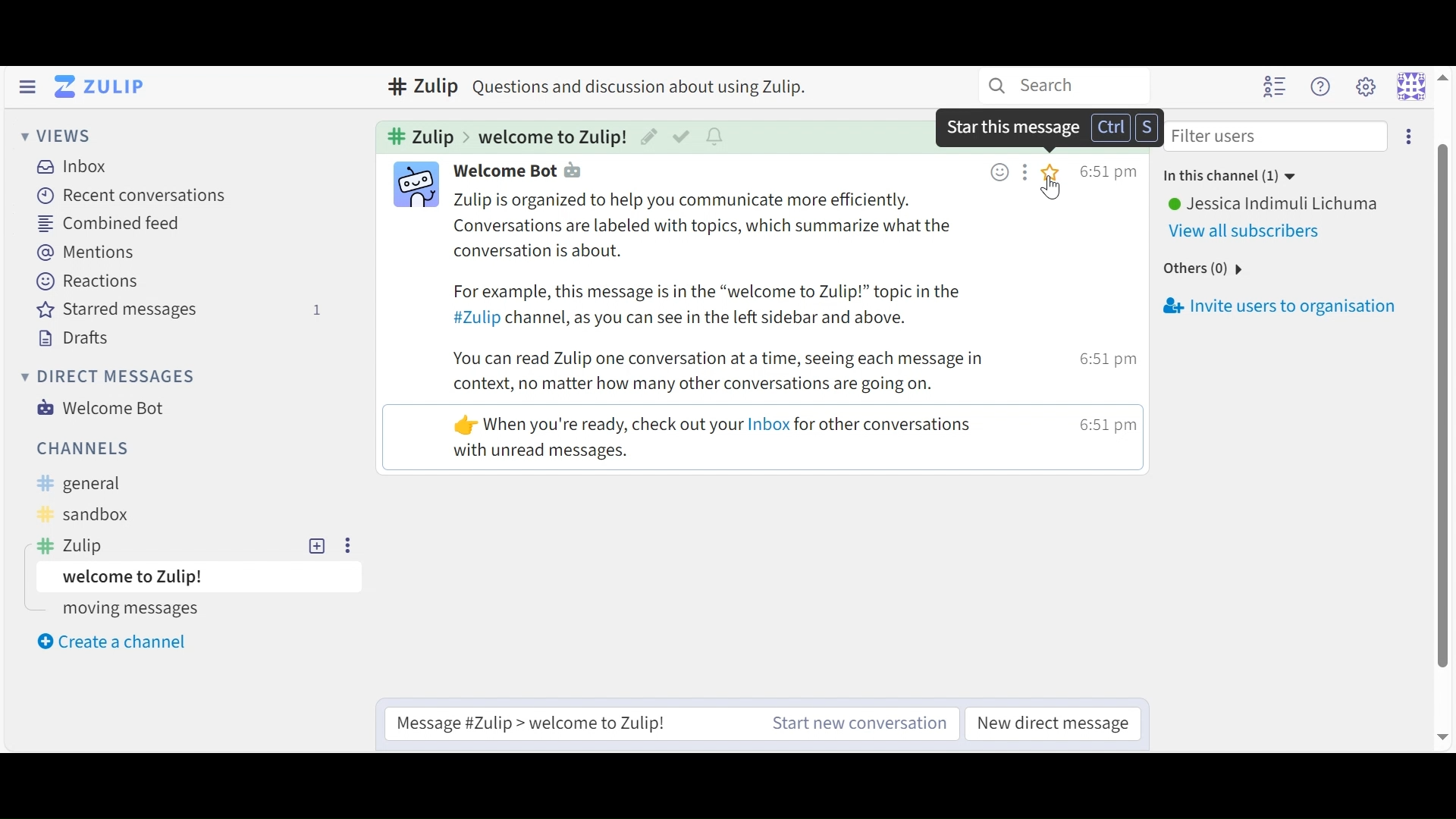 The height and width of the screenshot is (819, 1456). Describe the element at coordinates (648, 89) in the screenshot. I see `text` at that location.